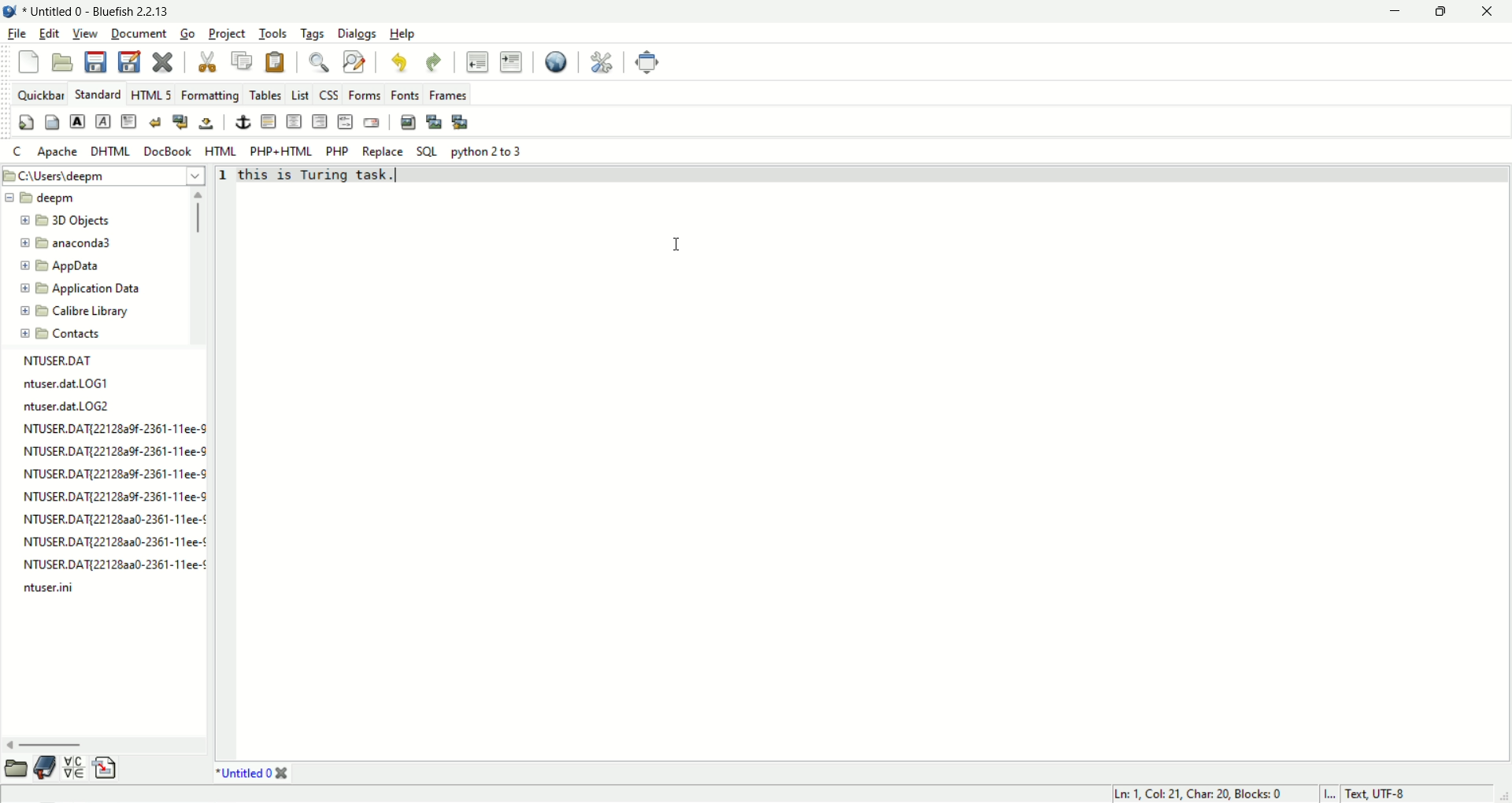 This screenshot has height=803, width=1512. Describe the element at coordinates (84, 34) in the screenshot. I see `view` at that location.